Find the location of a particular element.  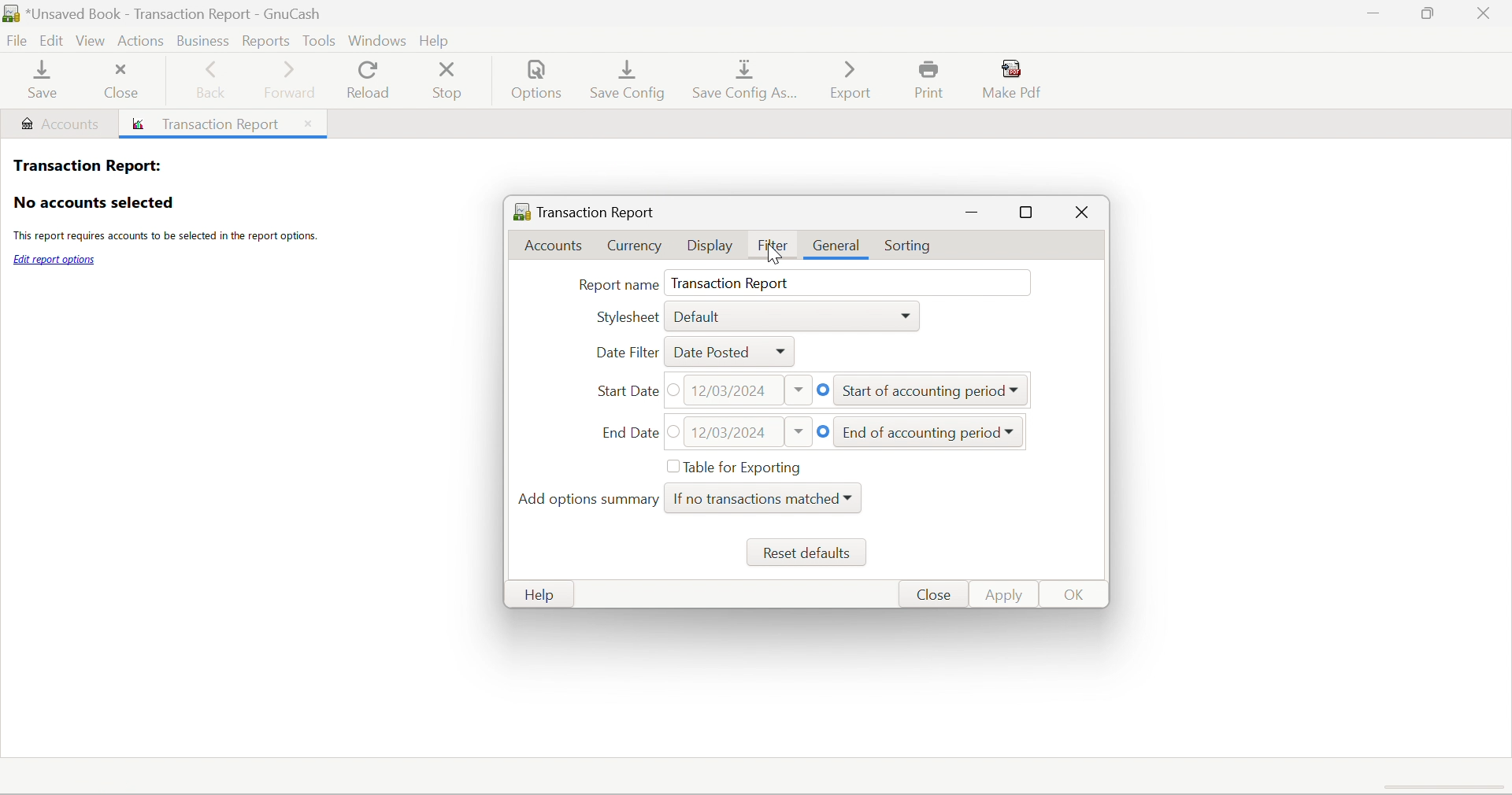

Export is located at coordinates (849, 79).